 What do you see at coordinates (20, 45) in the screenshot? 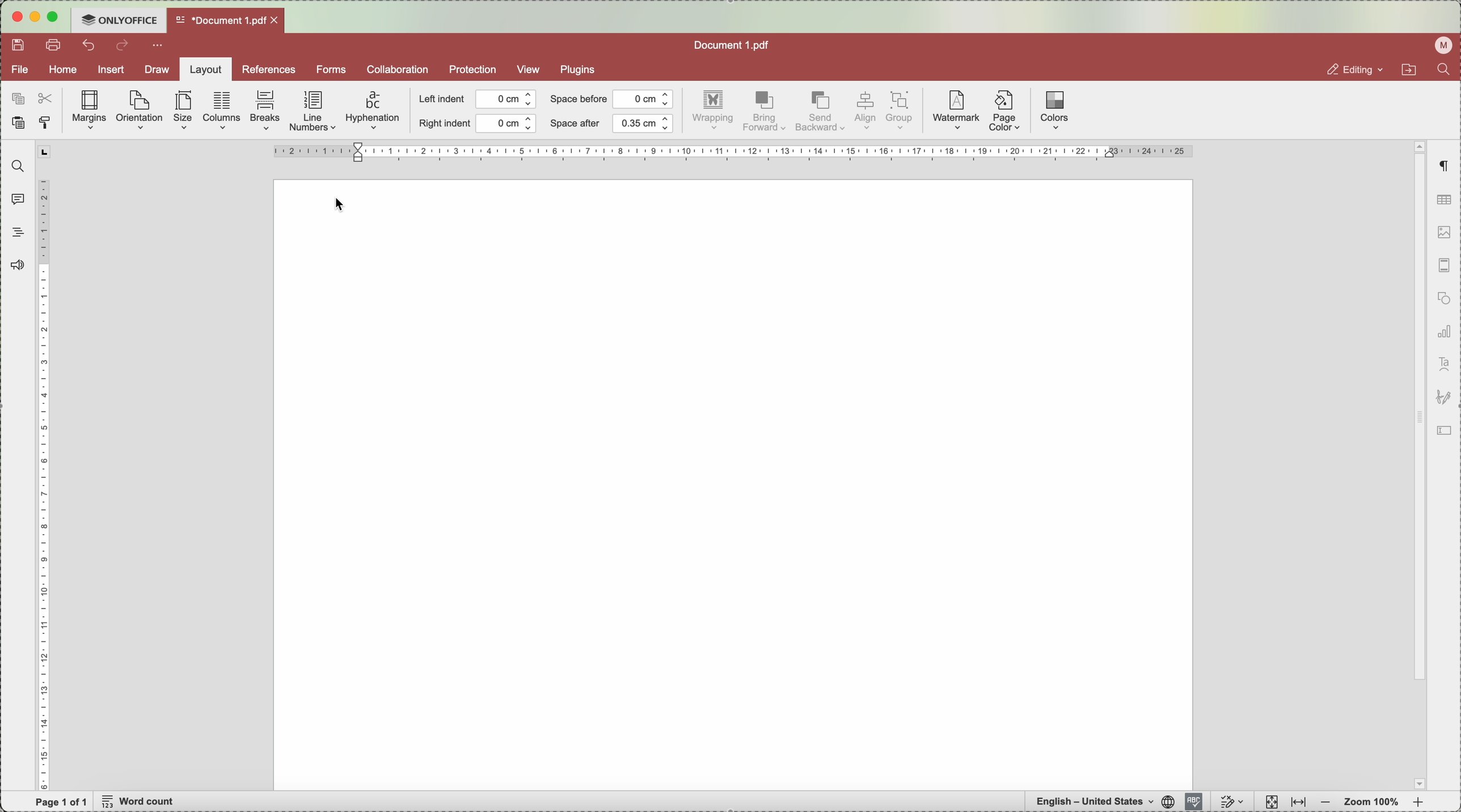
I see `save` at bounding box center [20, 45].